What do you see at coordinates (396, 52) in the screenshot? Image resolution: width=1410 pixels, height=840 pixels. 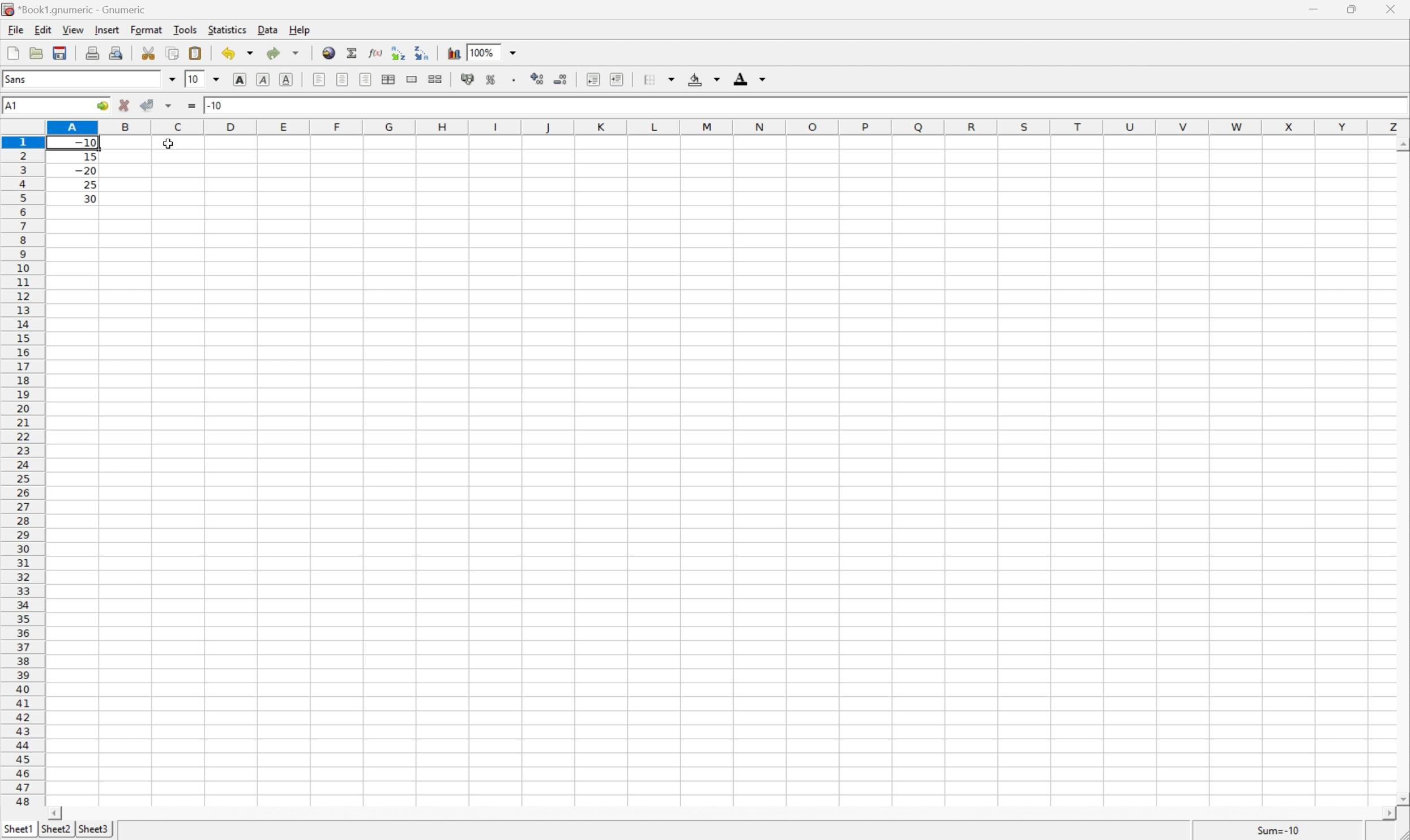 I see `Sort the selected region in ascending order based on the first column selected` at bounding box center [396, 52].